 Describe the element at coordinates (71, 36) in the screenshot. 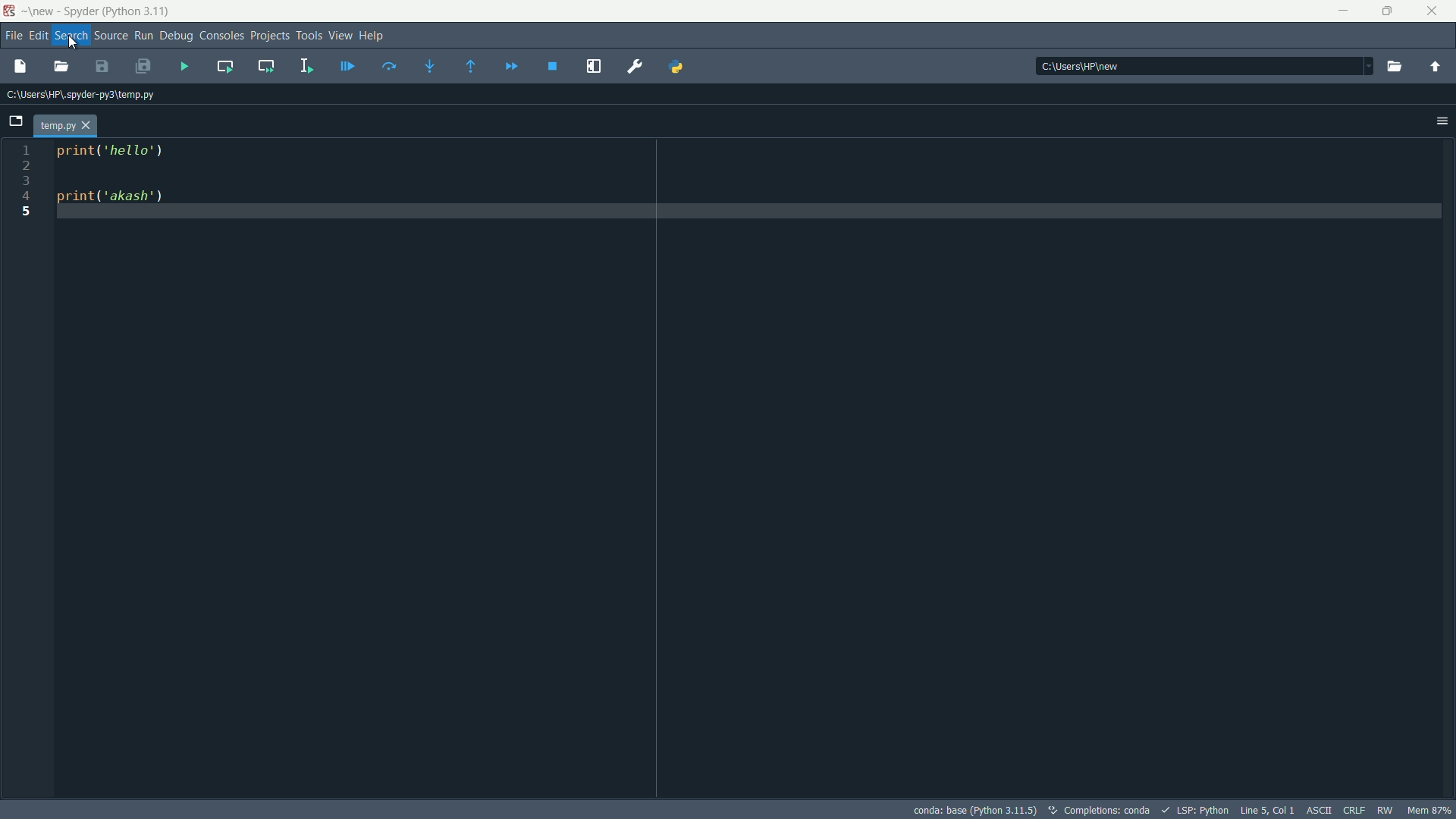

I see `search menu` at that location.